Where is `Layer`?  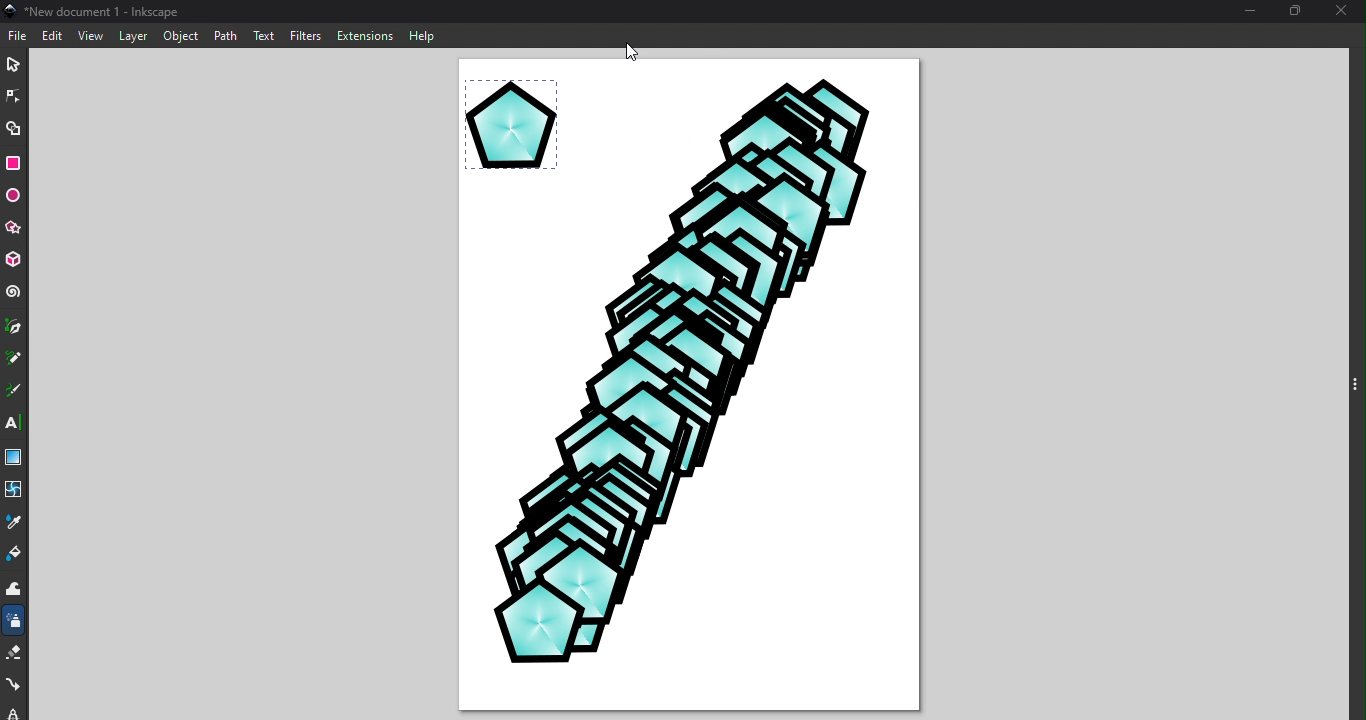 Layer is located at coordinates (132, 35).